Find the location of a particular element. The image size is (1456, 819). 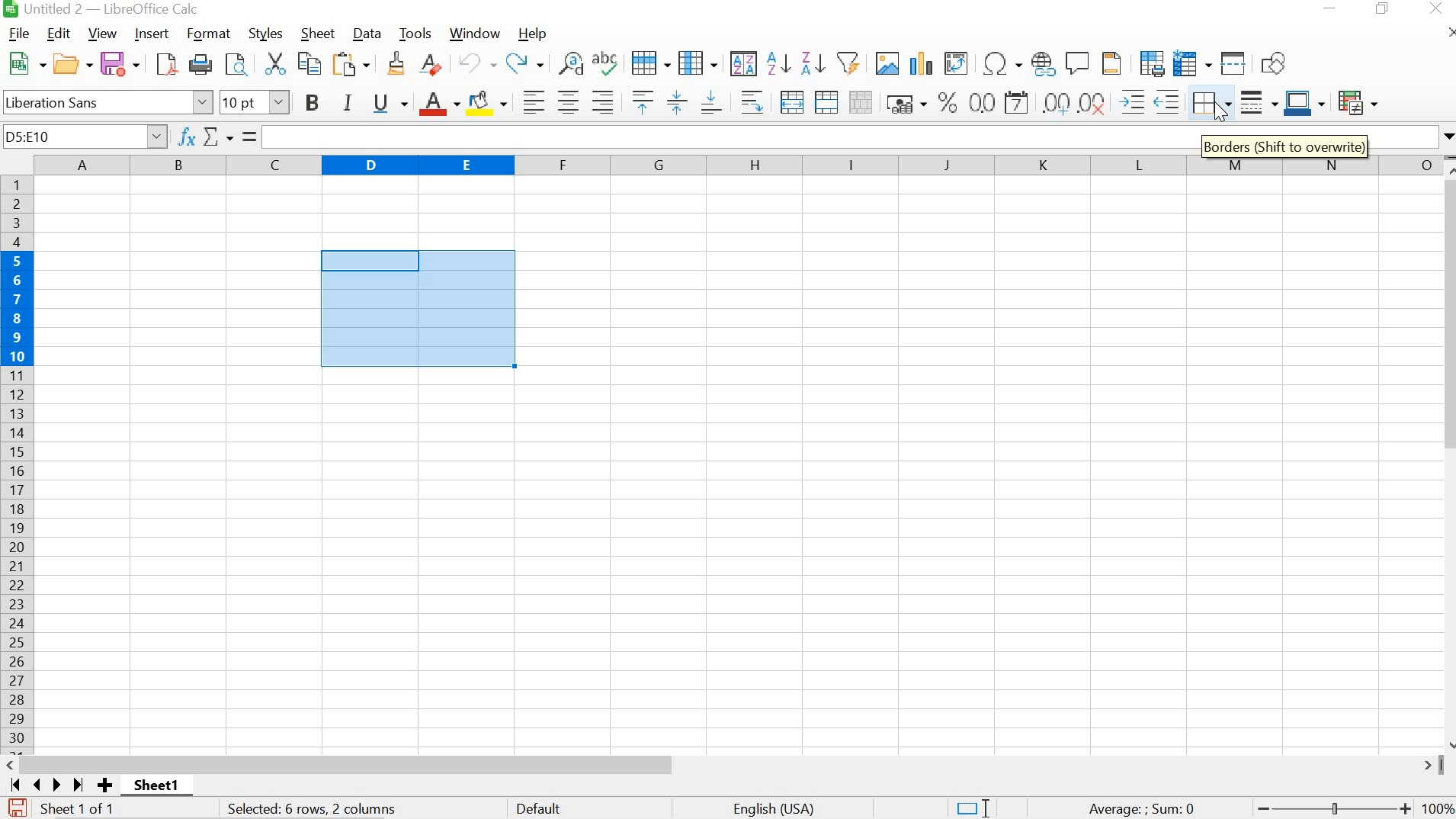

insert or edit pivot table is located at coordinates (957, 62).